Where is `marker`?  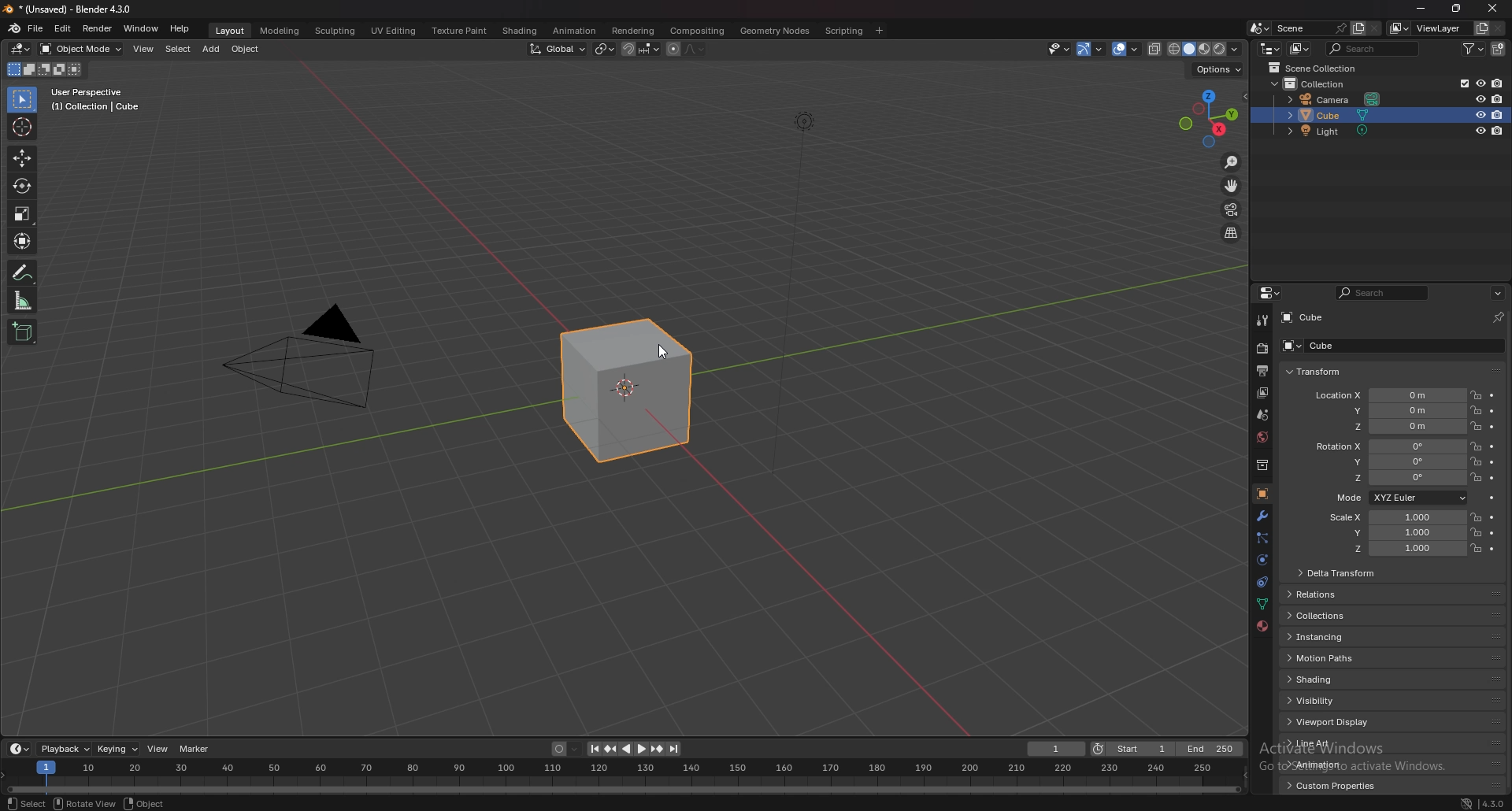 marker is located at coordinates (195, 749).